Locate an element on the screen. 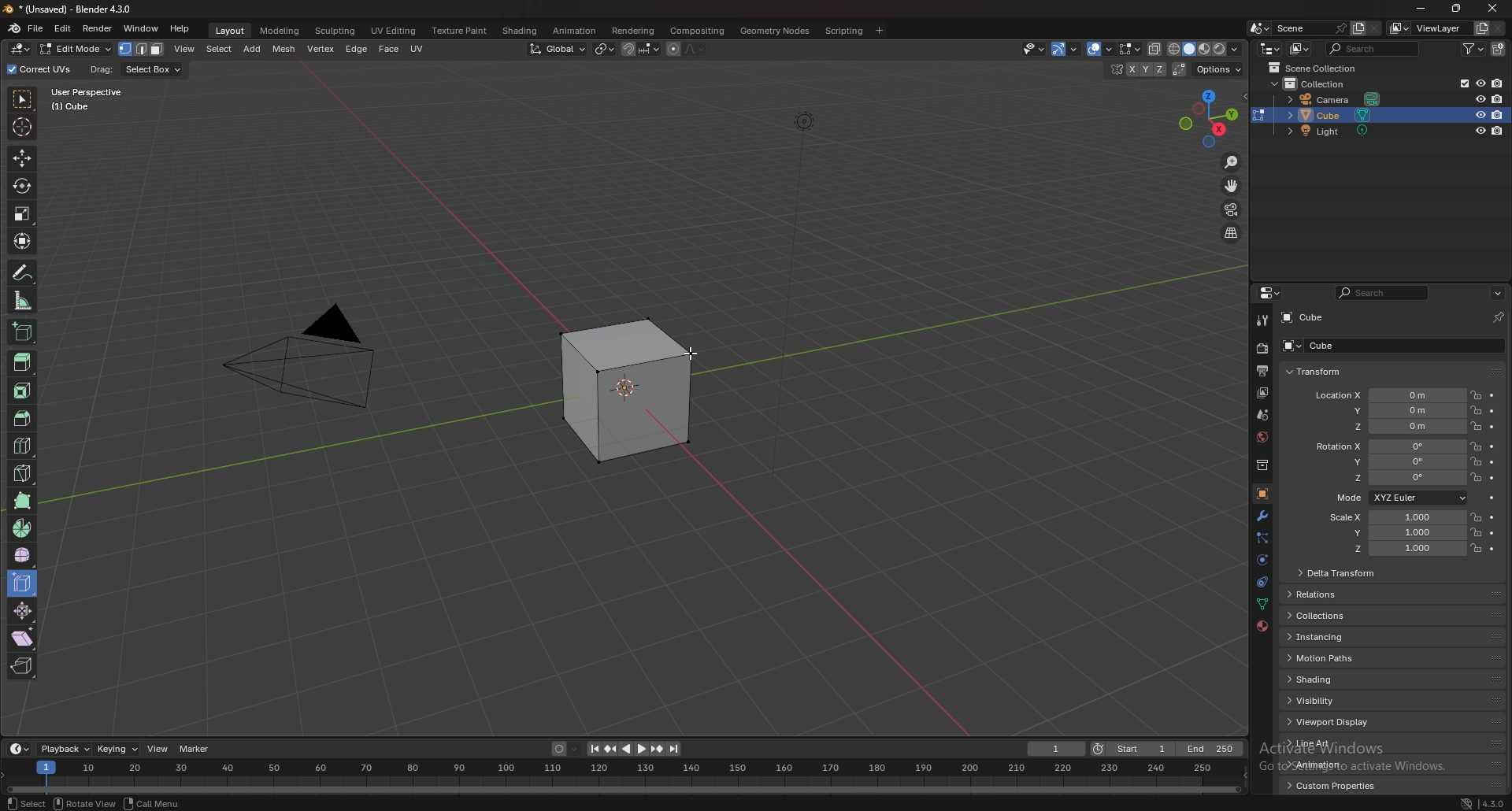 This screenshot has height=811, width=1512. transformation orientation is located at coordinates (558, 49).